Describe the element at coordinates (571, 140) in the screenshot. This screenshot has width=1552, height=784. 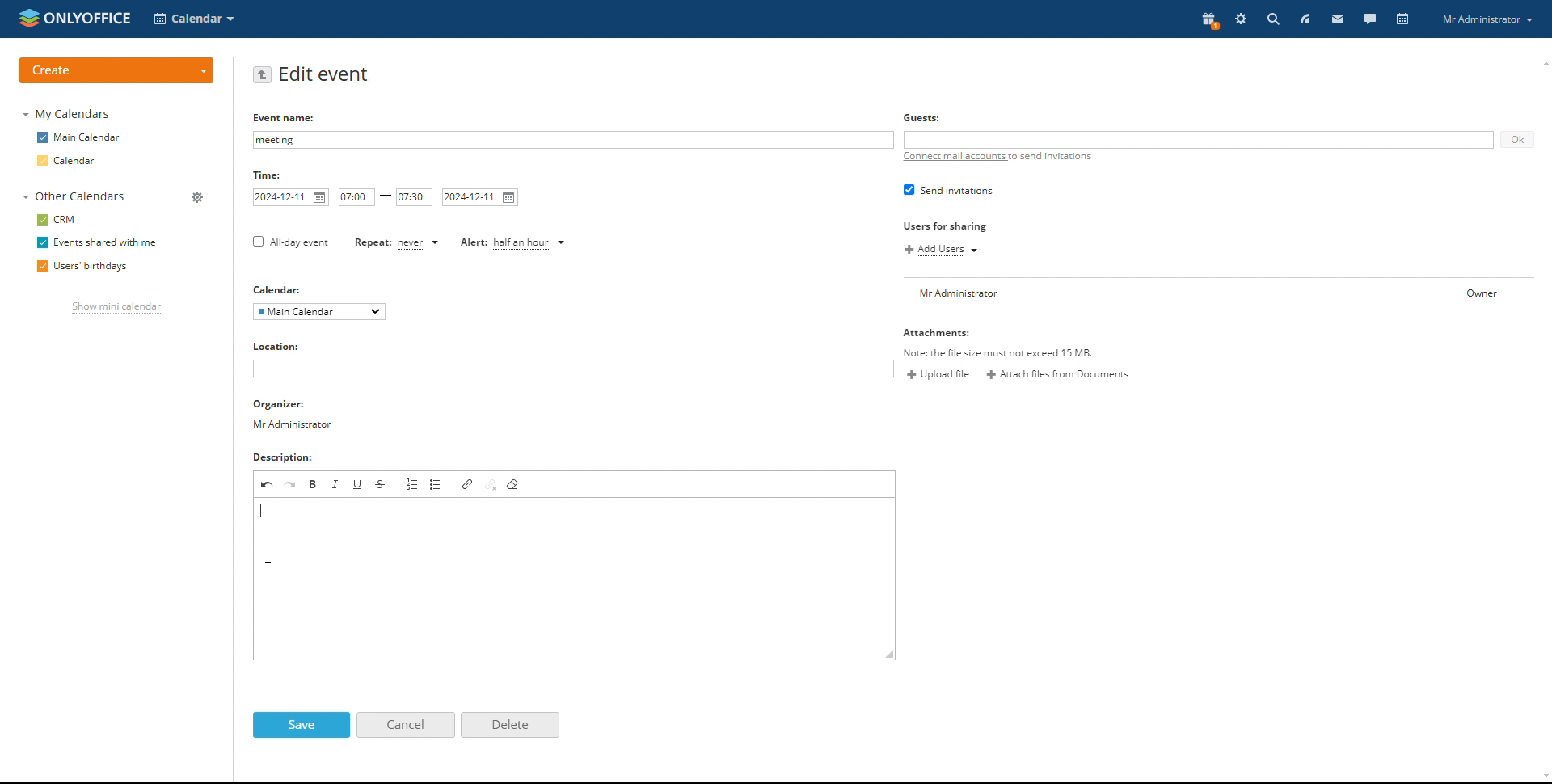
I see `add event name` at that location.